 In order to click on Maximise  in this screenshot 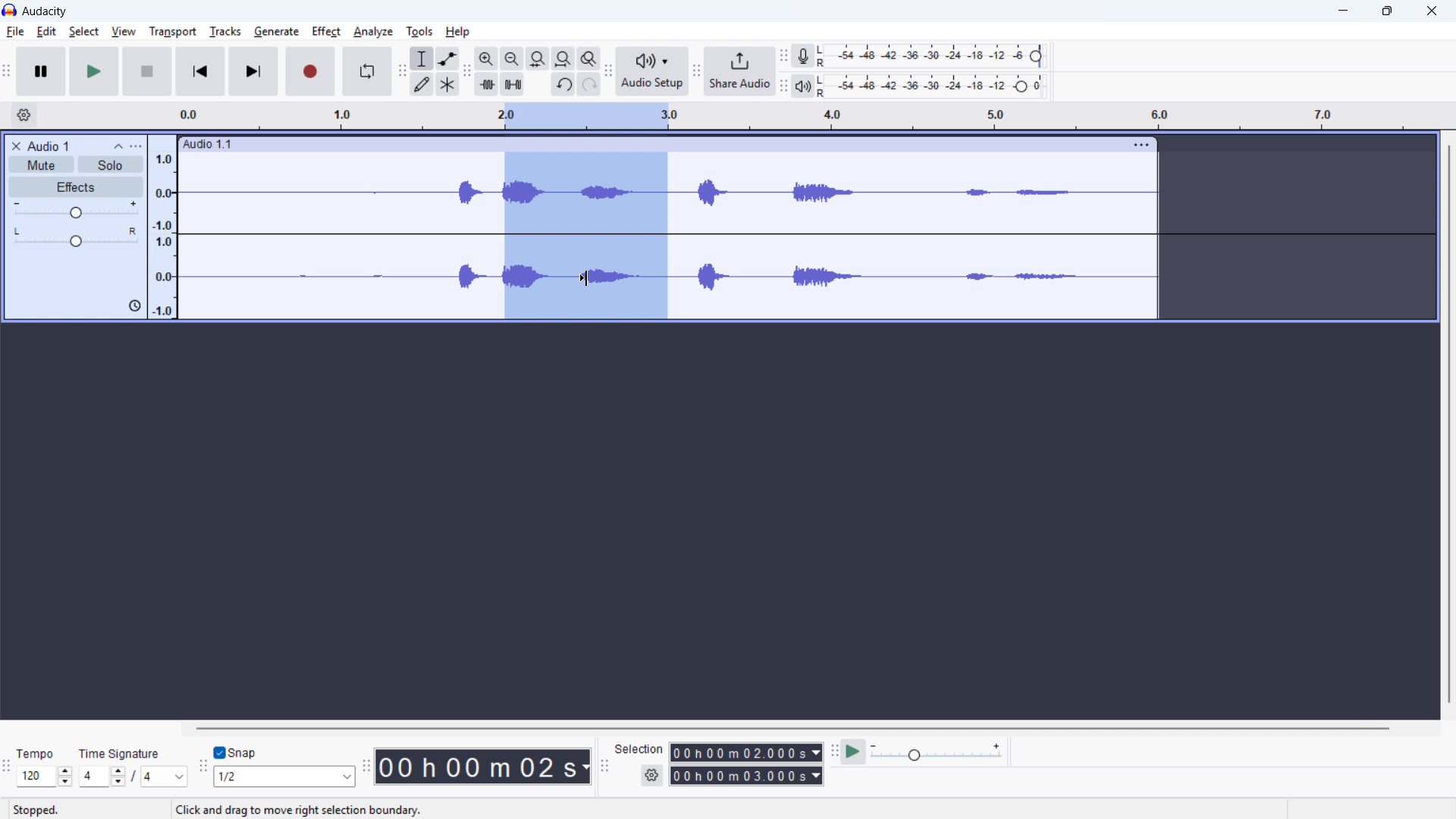, I will do `click(1388, 11)`.